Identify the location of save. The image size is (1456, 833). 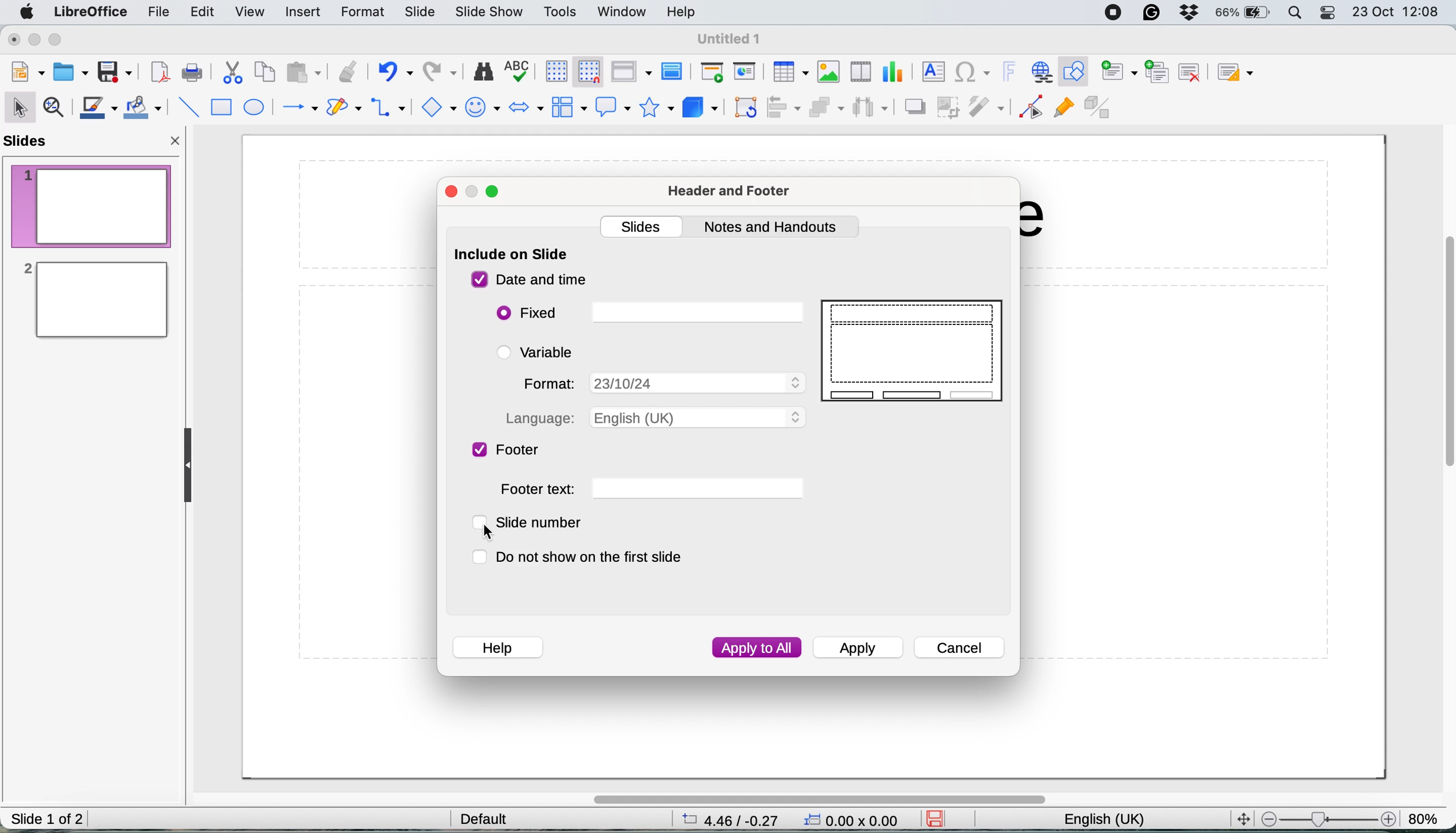
(940, 819).